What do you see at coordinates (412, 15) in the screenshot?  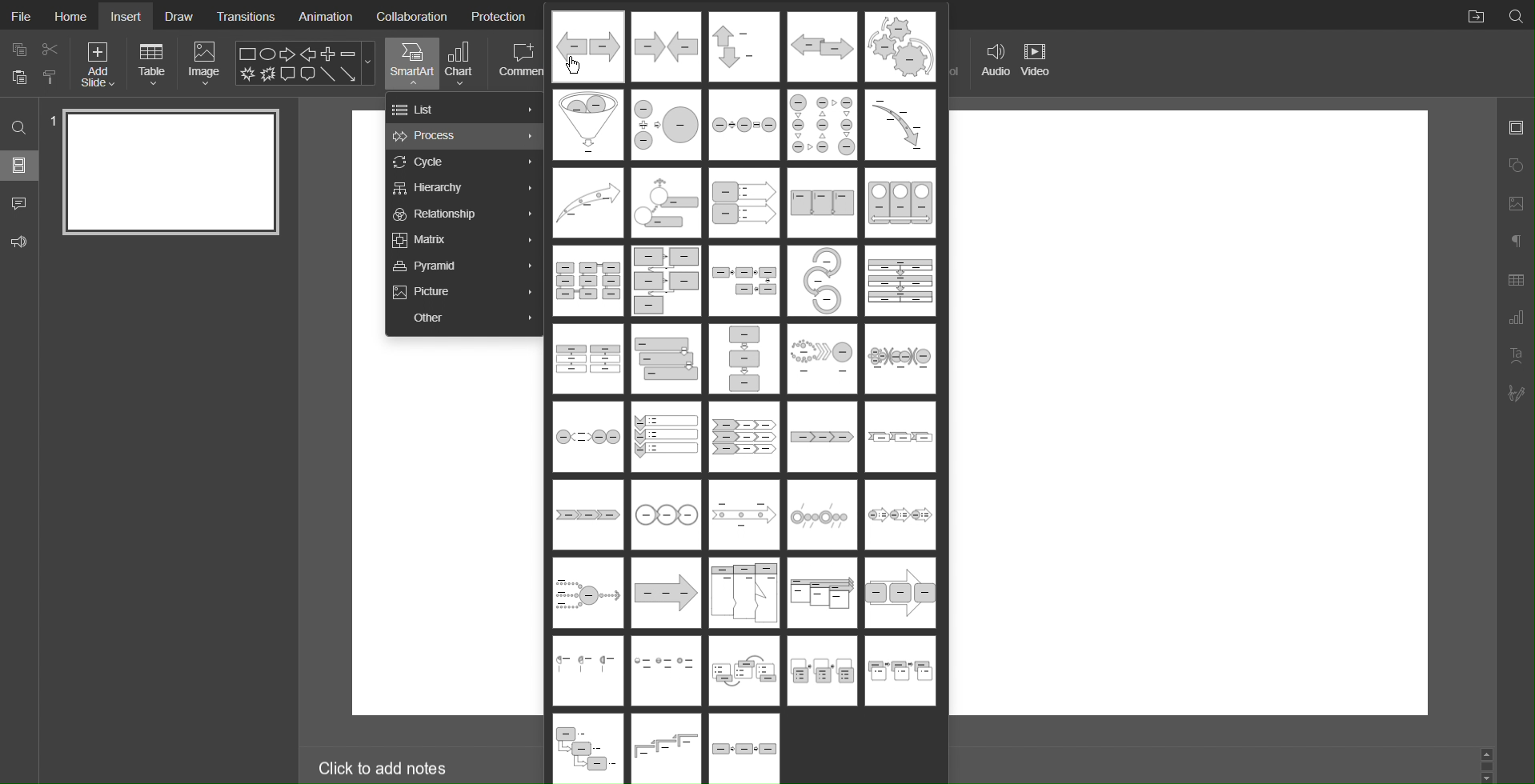 I see `Collaboration` at bounding box center [412, 15].